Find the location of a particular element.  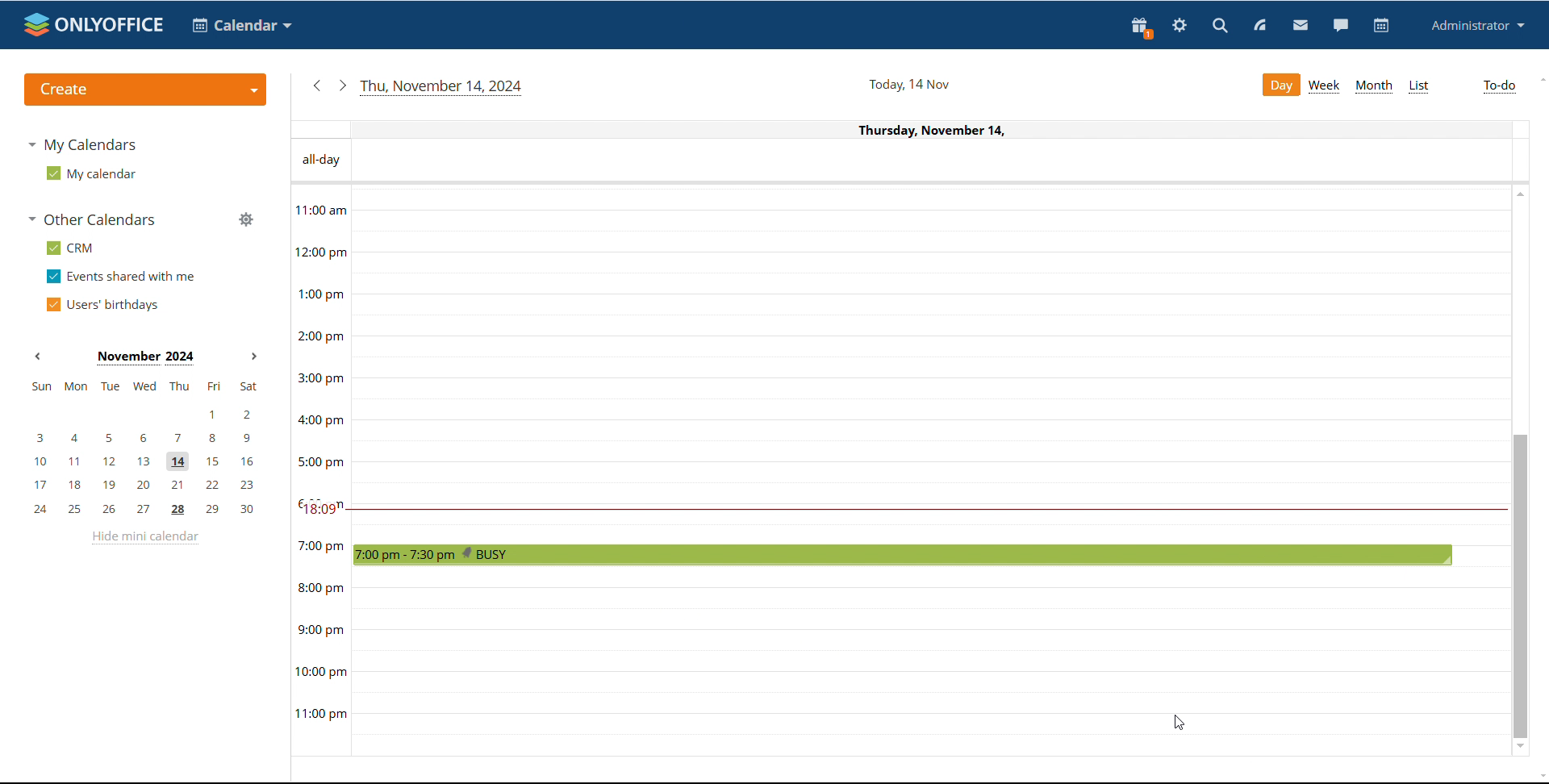

settings is located at coordinates (1179, 27).